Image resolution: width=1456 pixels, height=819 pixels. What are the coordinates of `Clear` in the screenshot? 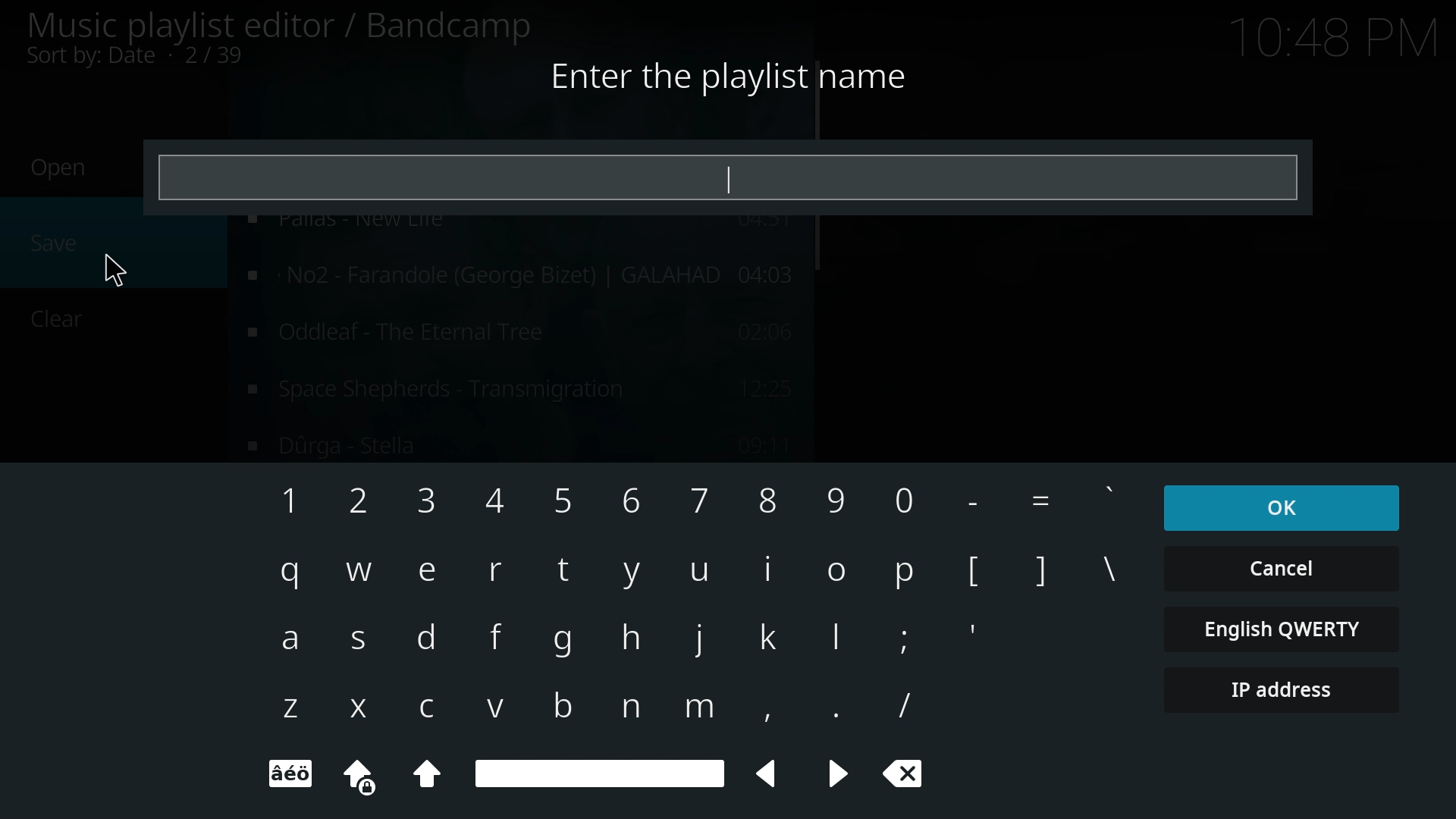 It's located at (61, 321).